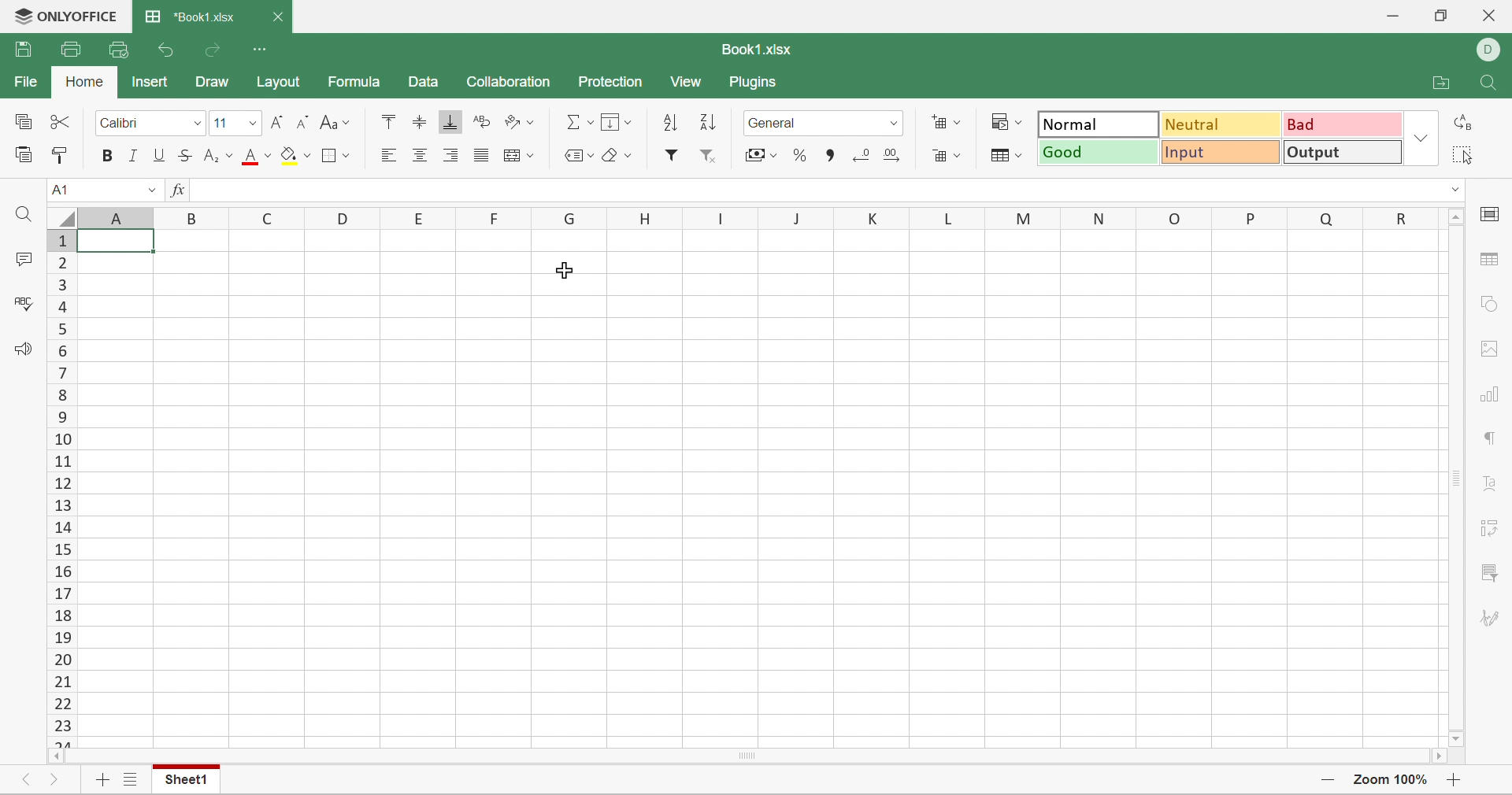 This screenshot has width=1512, height=795. I want to click on Shape settings, so click(1488, 304).